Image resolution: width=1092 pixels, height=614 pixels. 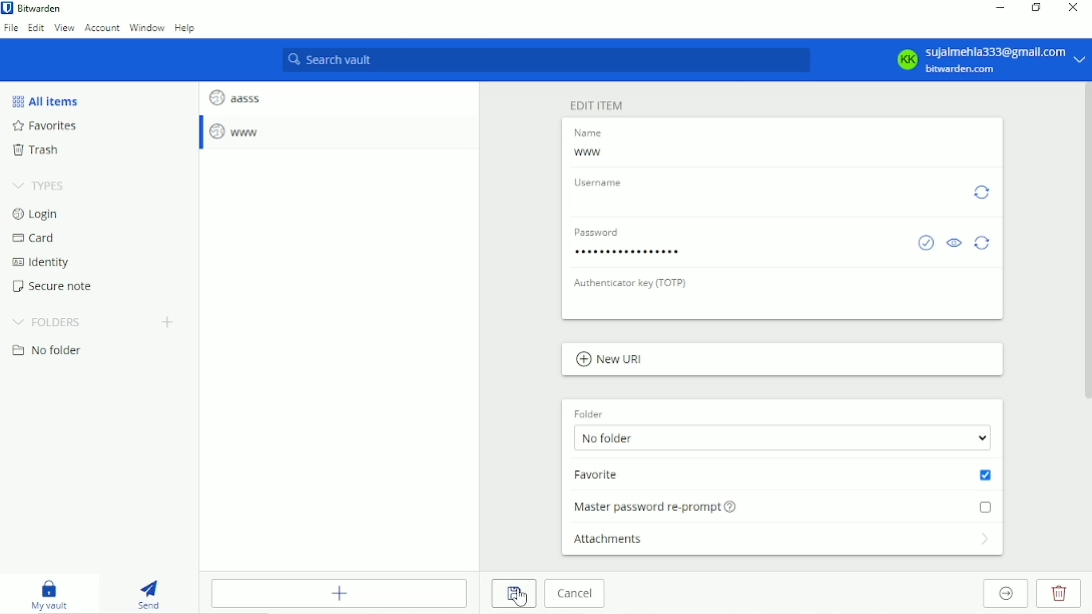 I want to click on Types, so click(x=42, y=185).